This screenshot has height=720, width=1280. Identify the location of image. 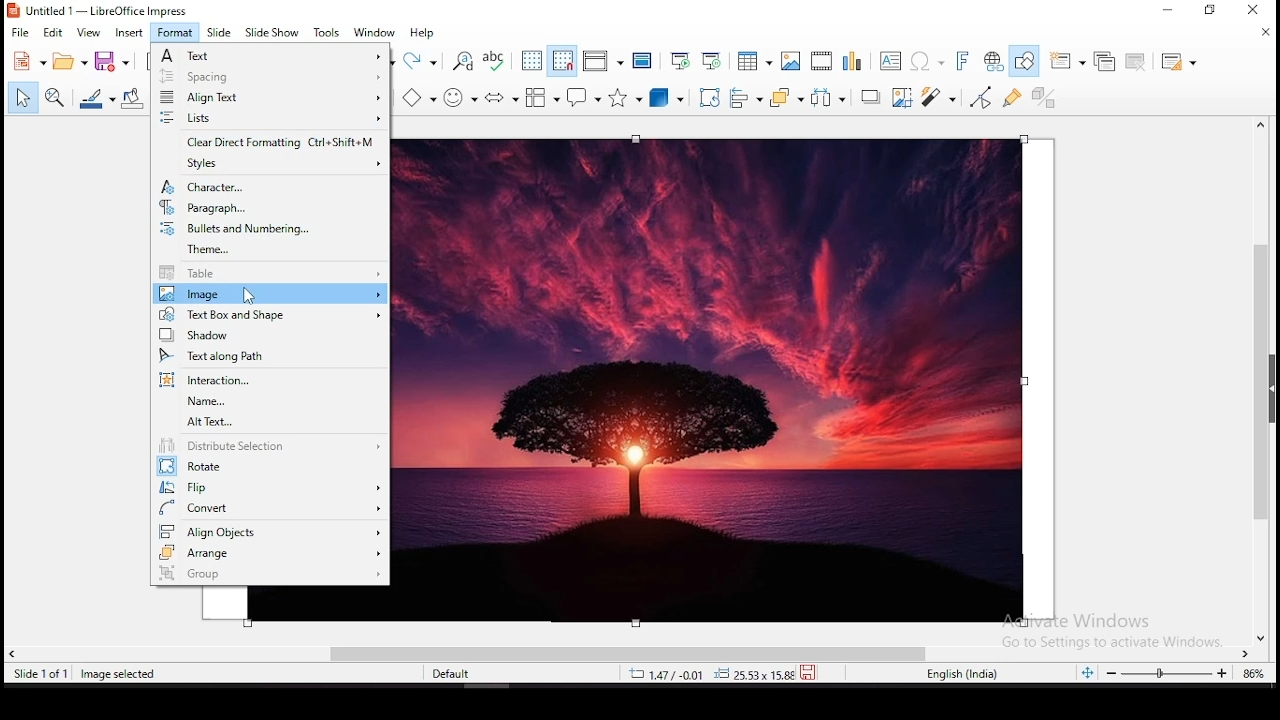
(268, 294).